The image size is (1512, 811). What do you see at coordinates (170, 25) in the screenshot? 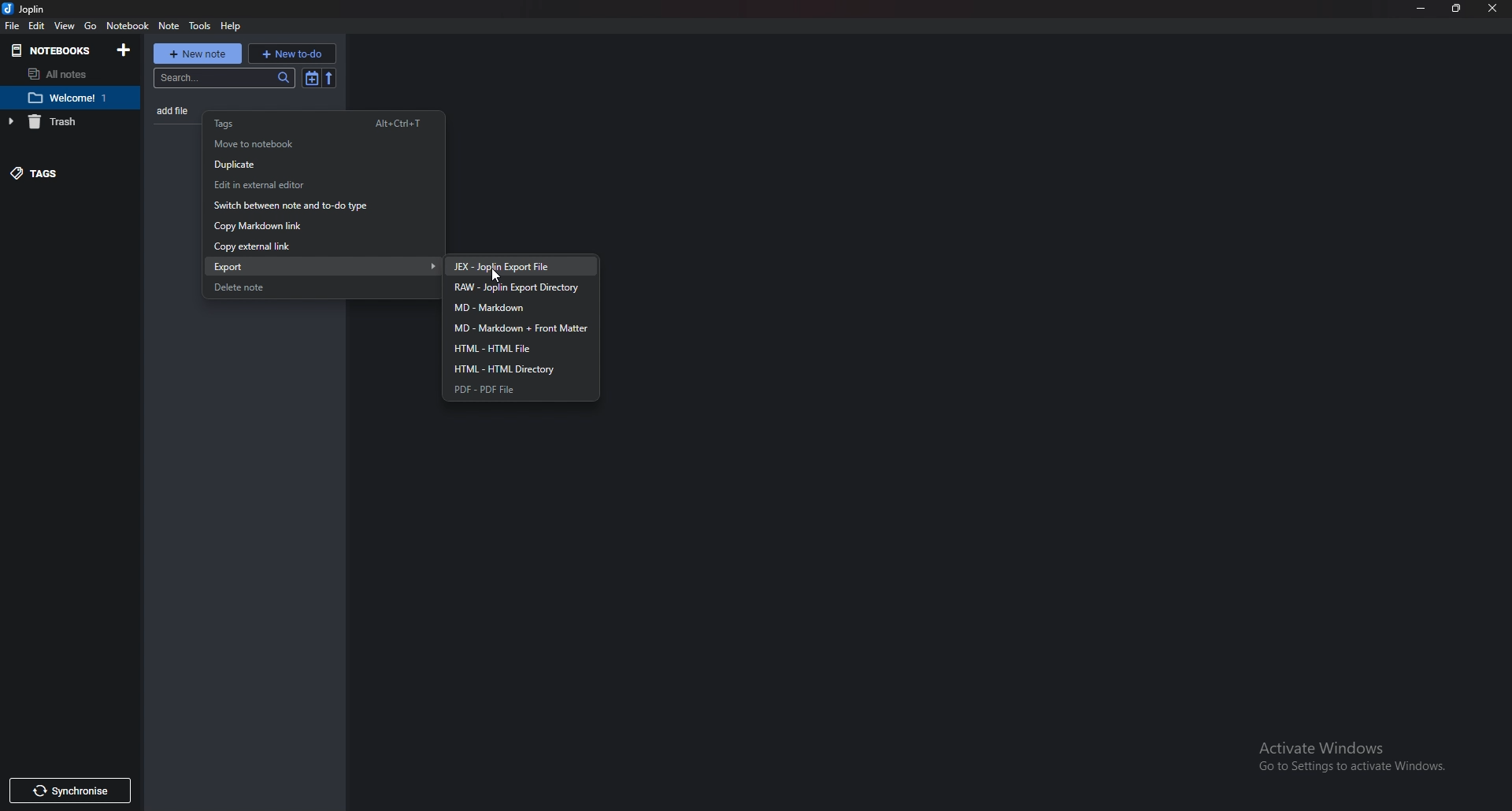
I see `note` at bounding box center [170, 25].